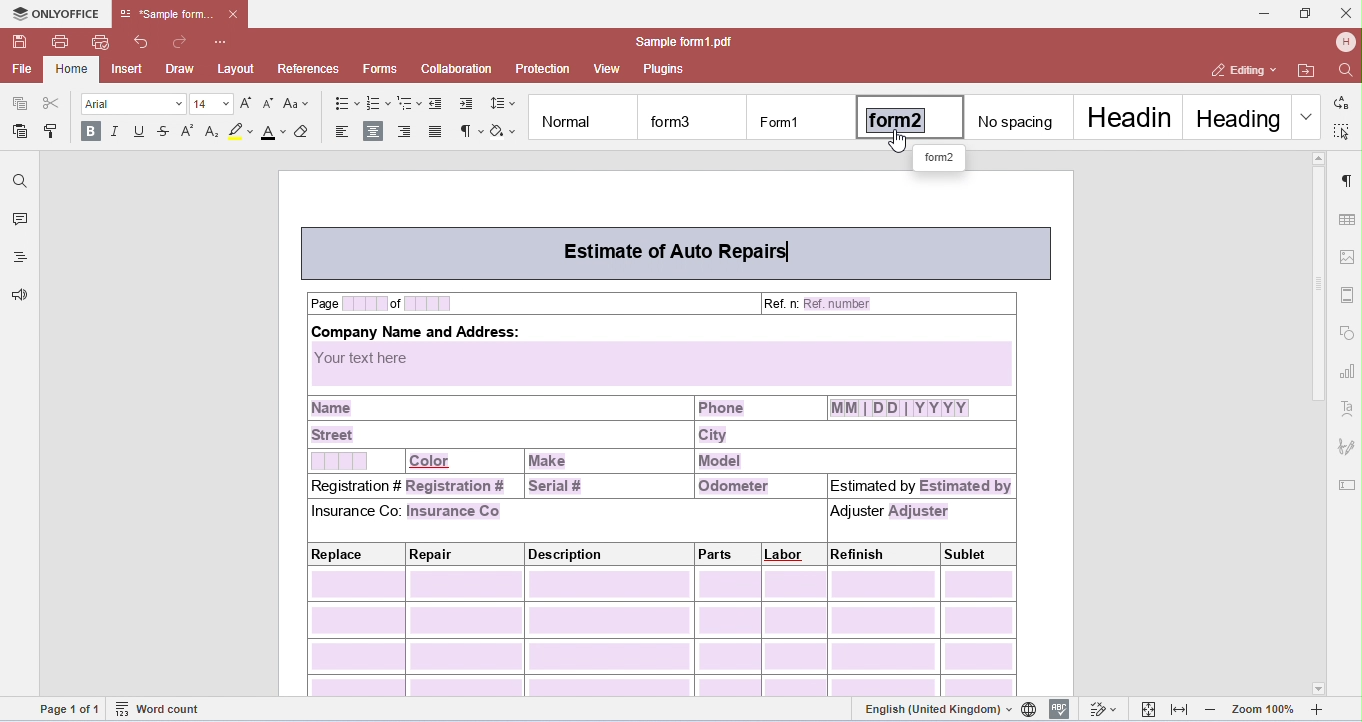  I want to click on zoom, so click(1267, 710).